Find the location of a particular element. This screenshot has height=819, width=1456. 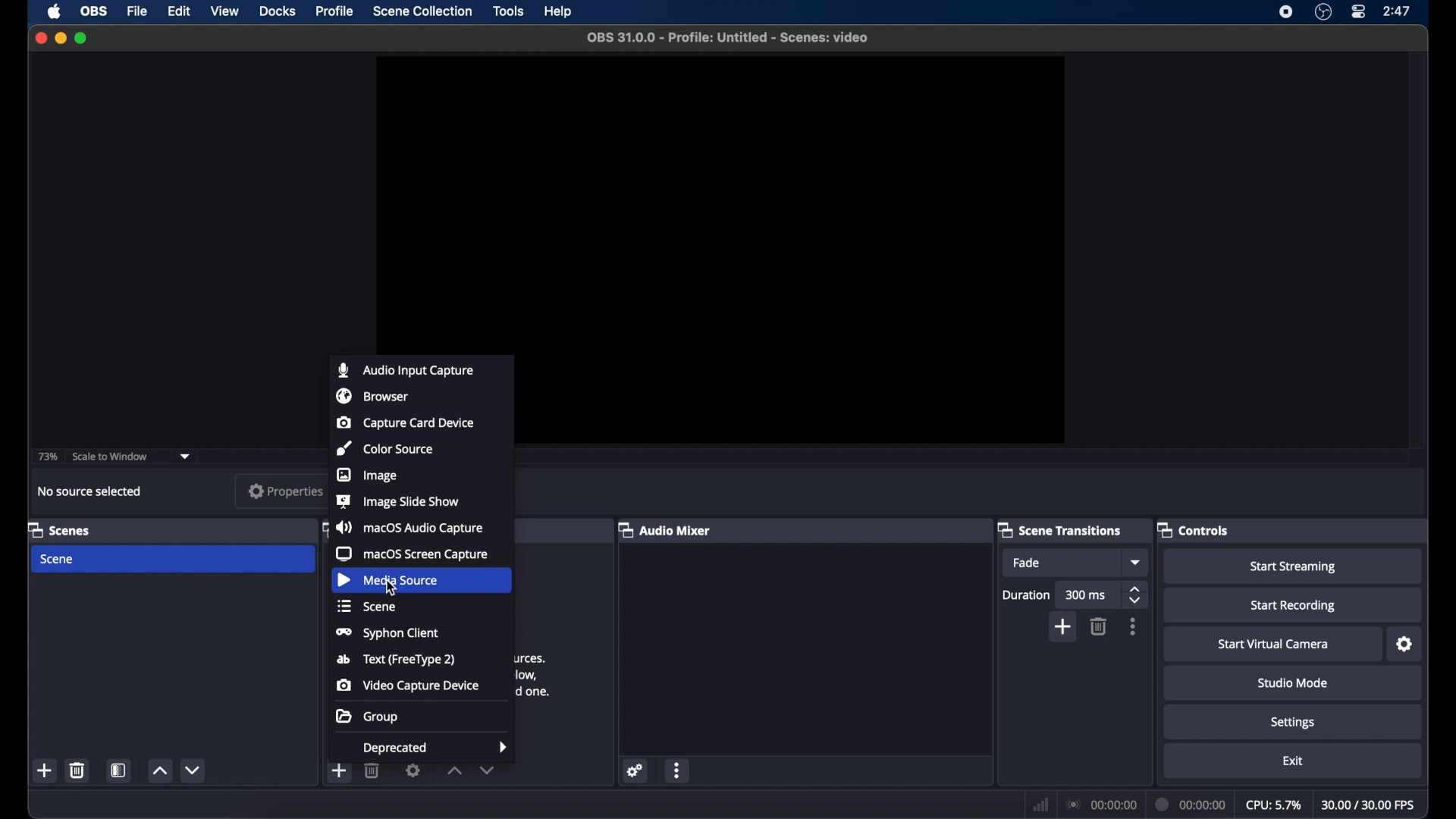

duration is located at coordinates (1025, 595).